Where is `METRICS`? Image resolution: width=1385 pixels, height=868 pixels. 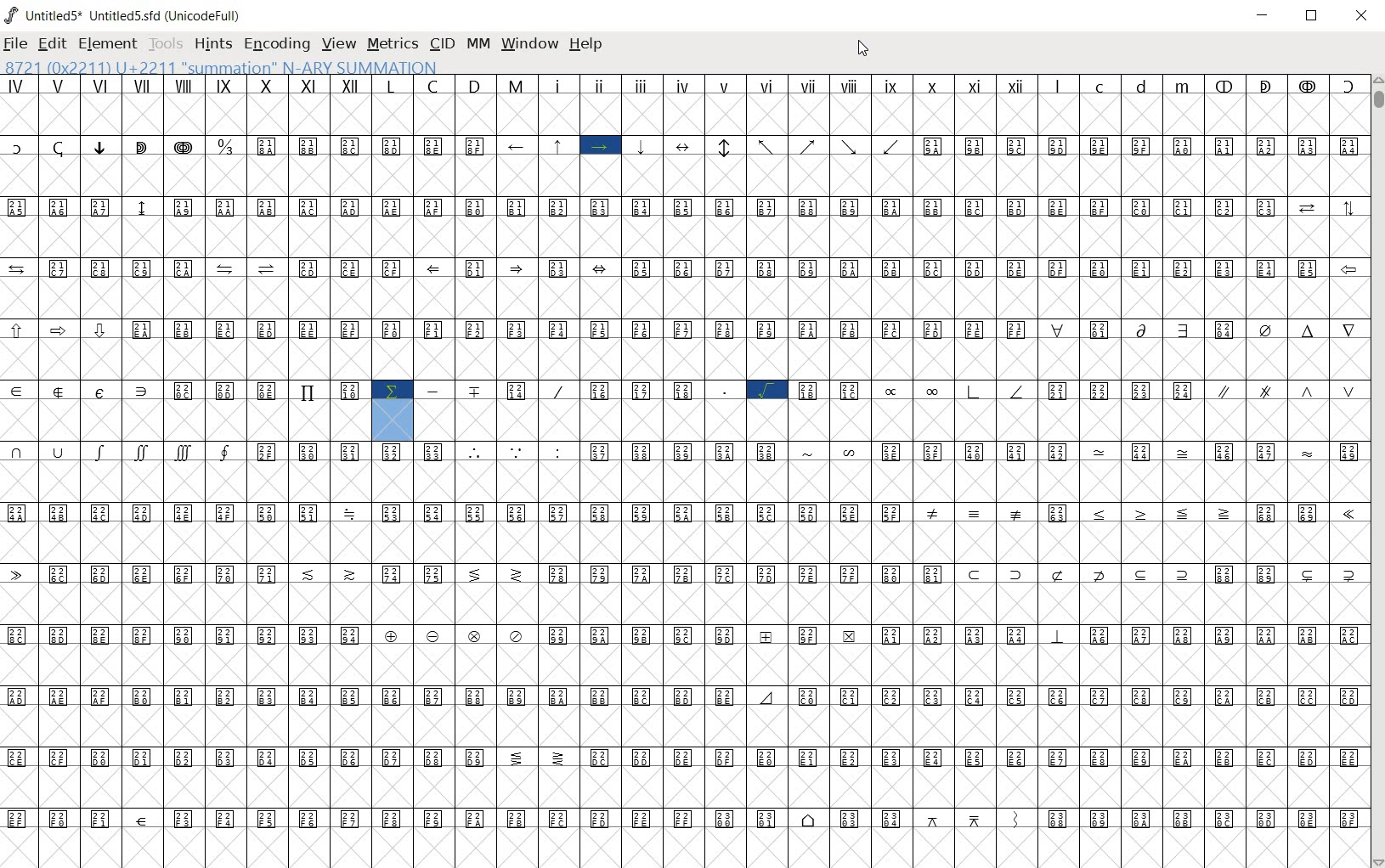
METRICS is located at coordinates (394, 45).